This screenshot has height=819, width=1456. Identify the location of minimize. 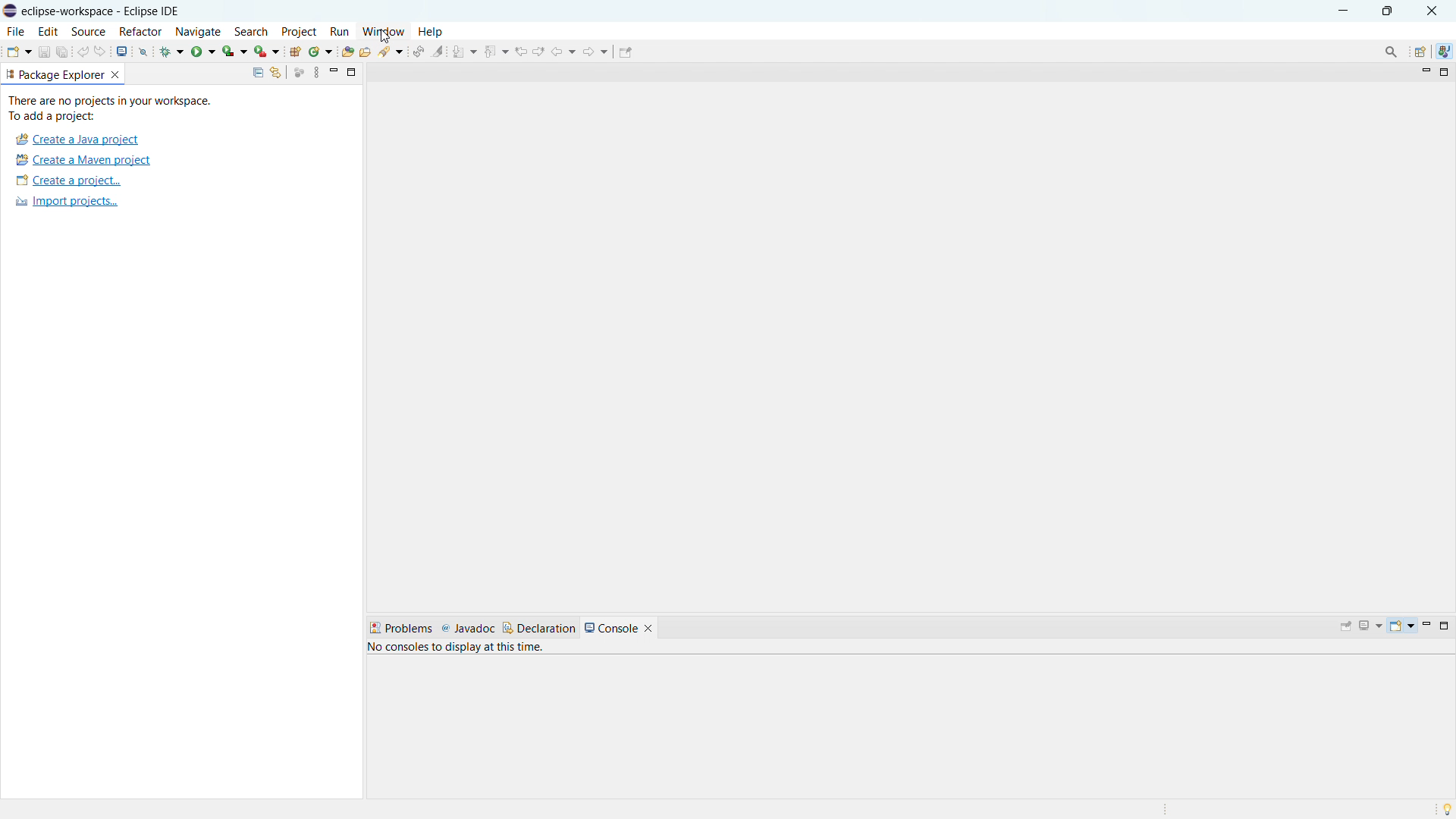
(1426, 625).